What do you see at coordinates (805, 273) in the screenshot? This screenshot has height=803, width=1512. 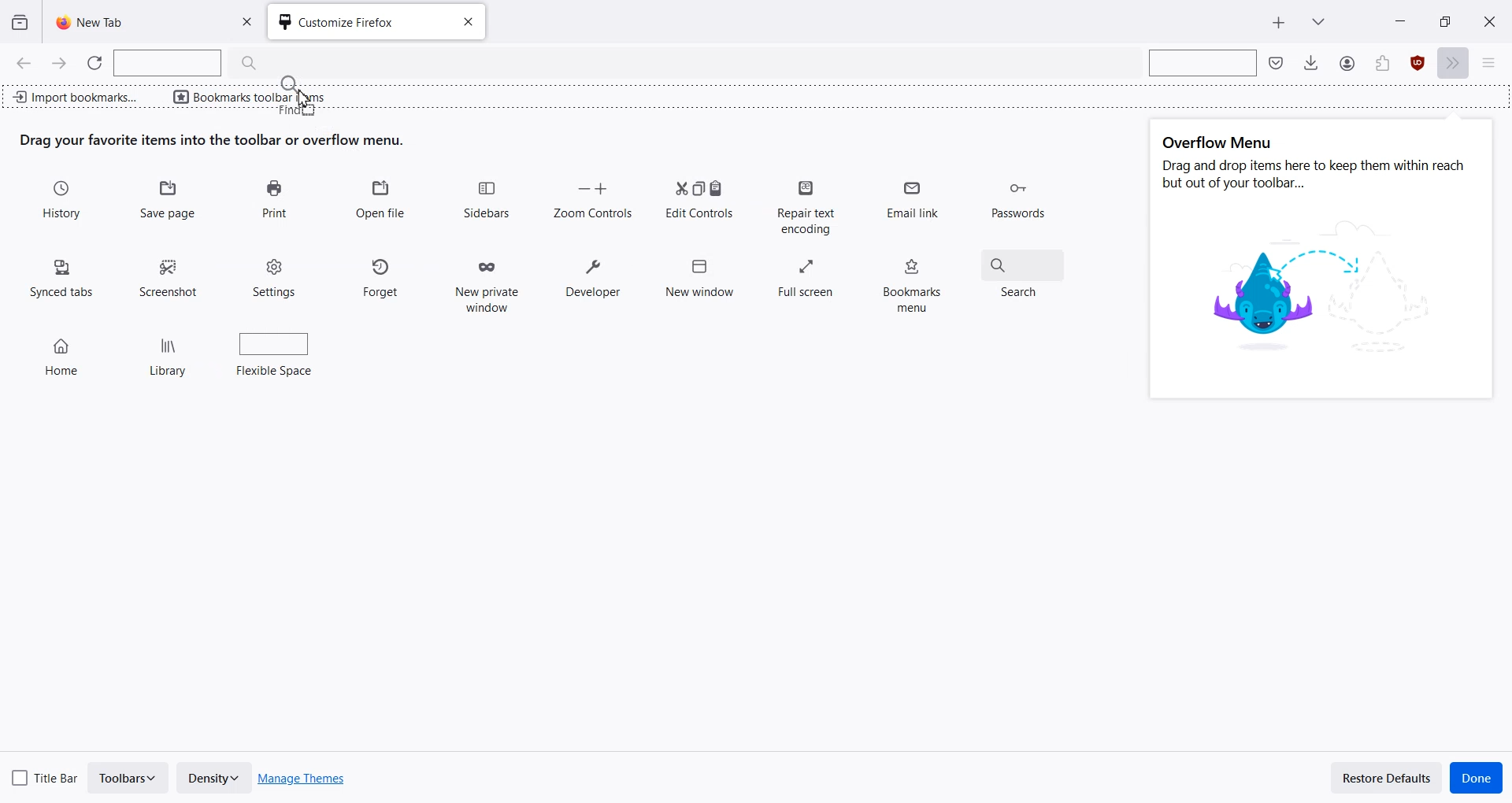 I see `Full screen` at bounding box center [805, 273].